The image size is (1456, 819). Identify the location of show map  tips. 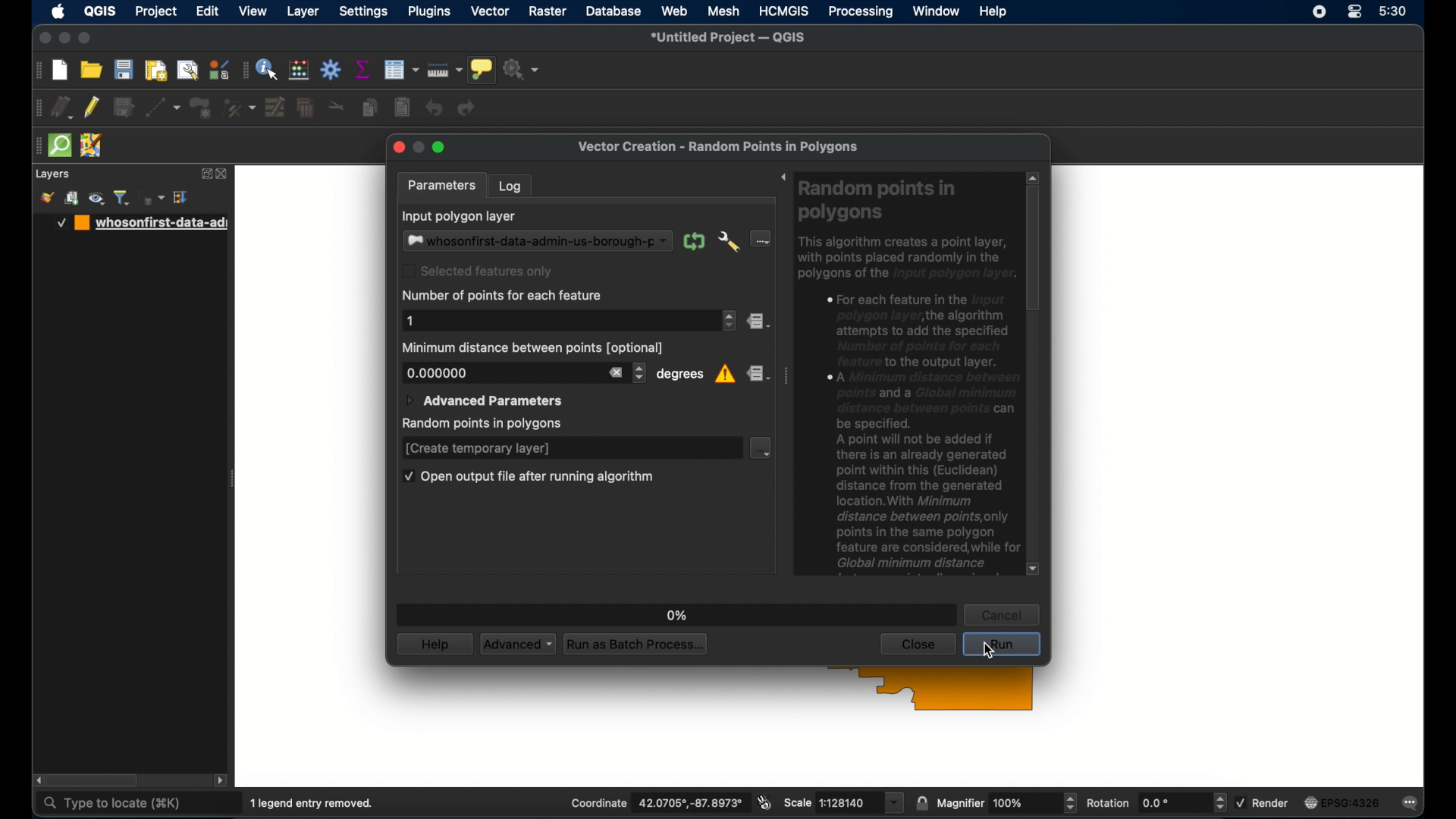
(482, 70).